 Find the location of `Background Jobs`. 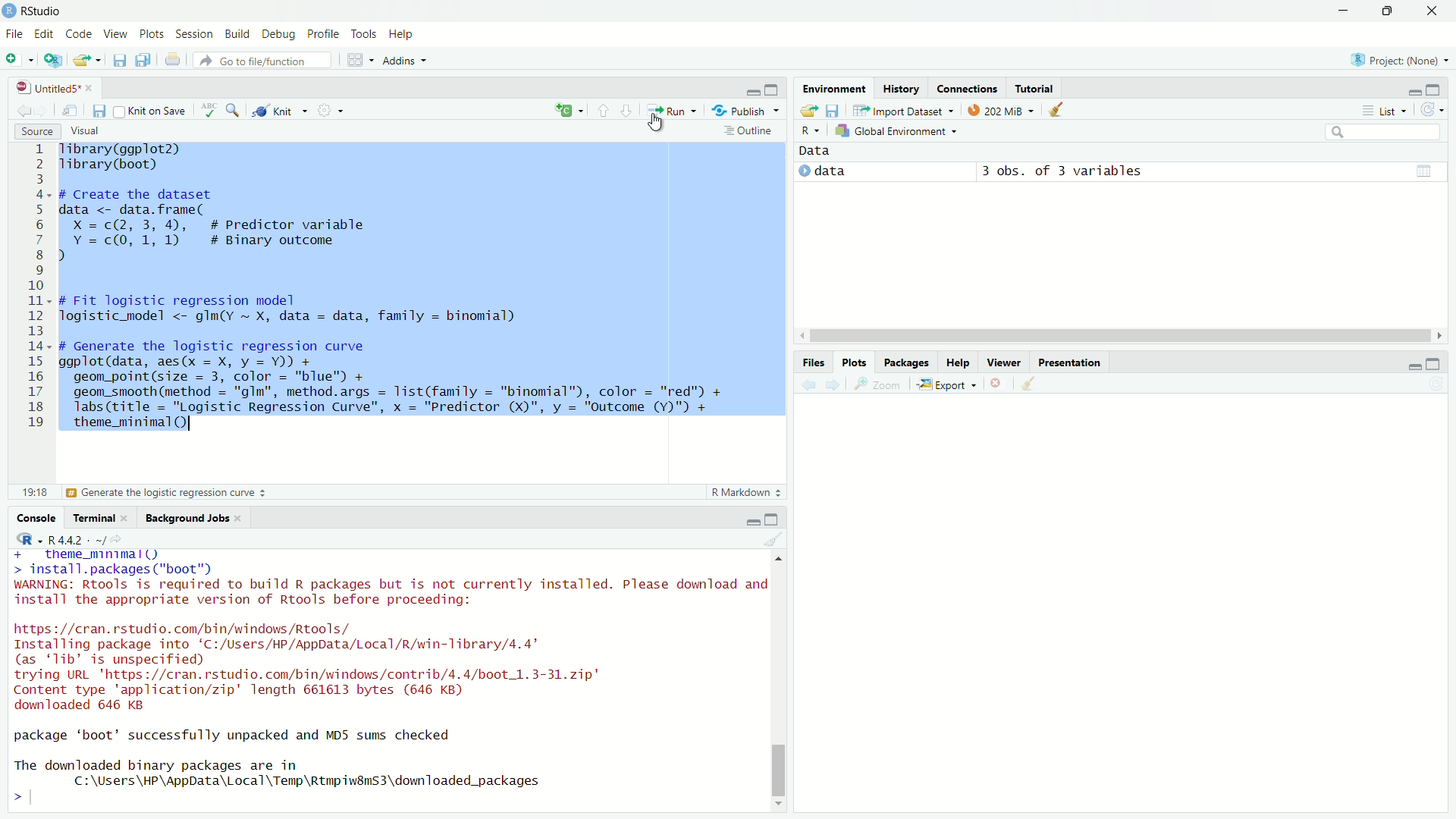

Background Jobs is located at coordinates (184, 518).